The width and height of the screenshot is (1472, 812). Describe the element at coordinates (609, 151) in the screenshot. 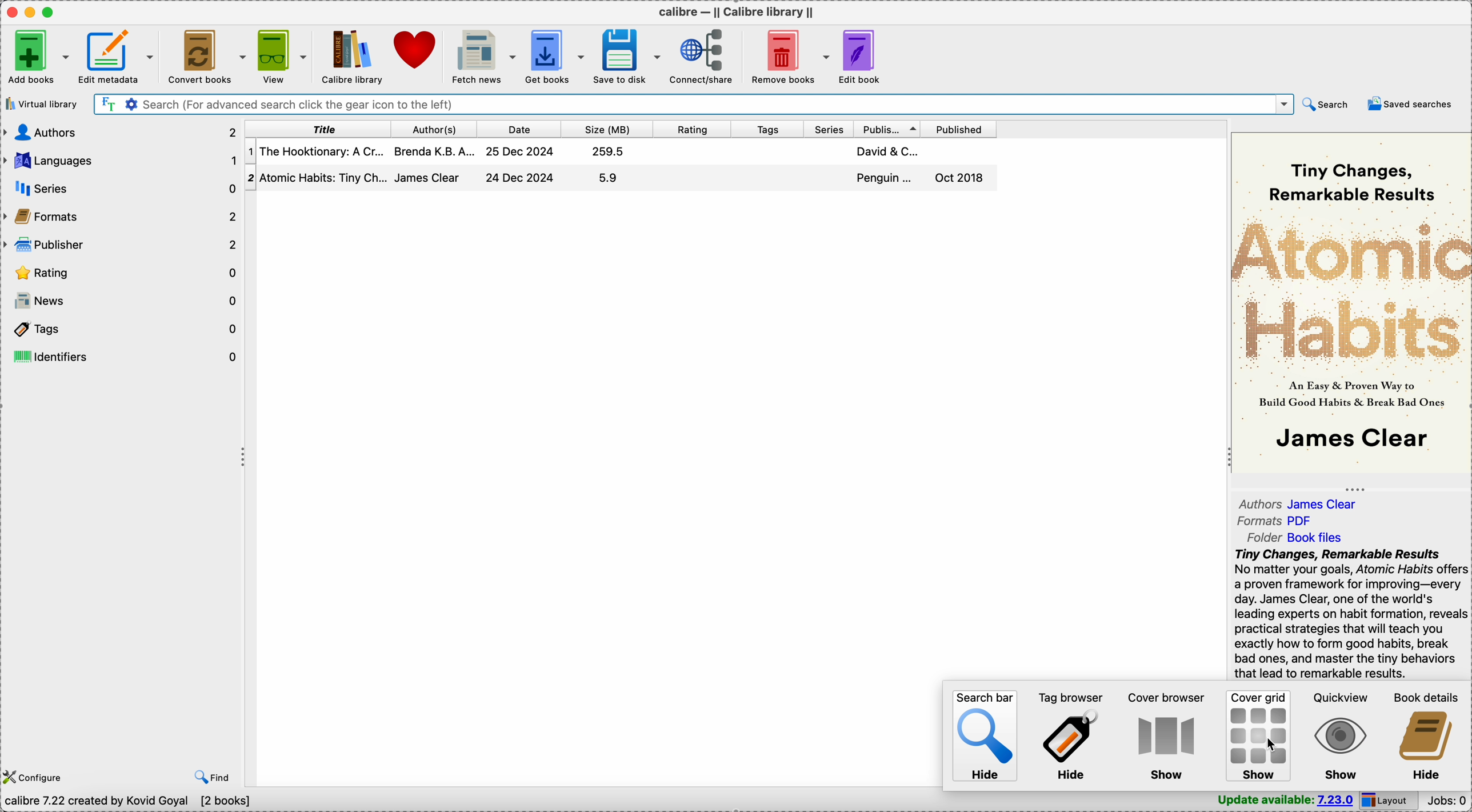

I see `259.5` at that location.